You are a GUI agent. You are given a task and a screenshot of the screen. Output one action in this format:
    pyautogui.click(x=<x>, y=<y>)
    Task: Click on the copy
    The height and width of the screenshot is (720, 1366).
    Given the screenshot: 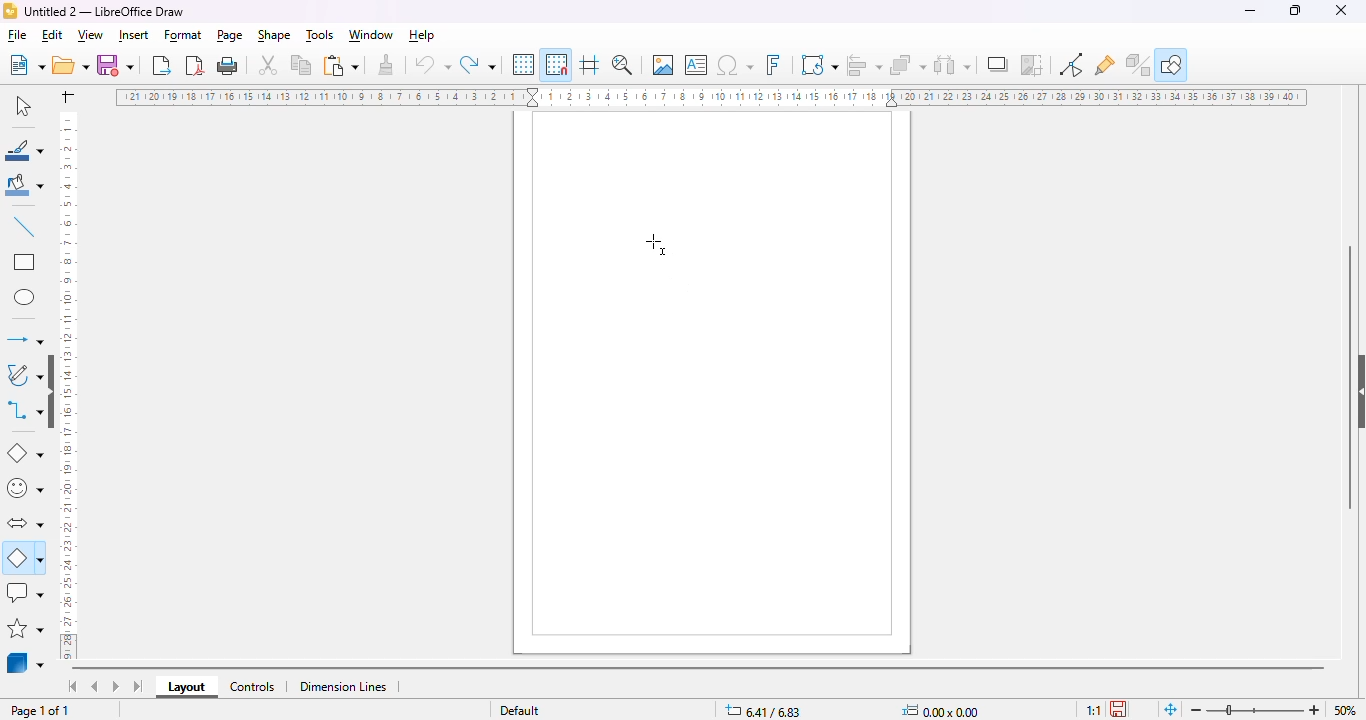 What is the action you would take?
    pyautogui.click(x=302, y=65)
    